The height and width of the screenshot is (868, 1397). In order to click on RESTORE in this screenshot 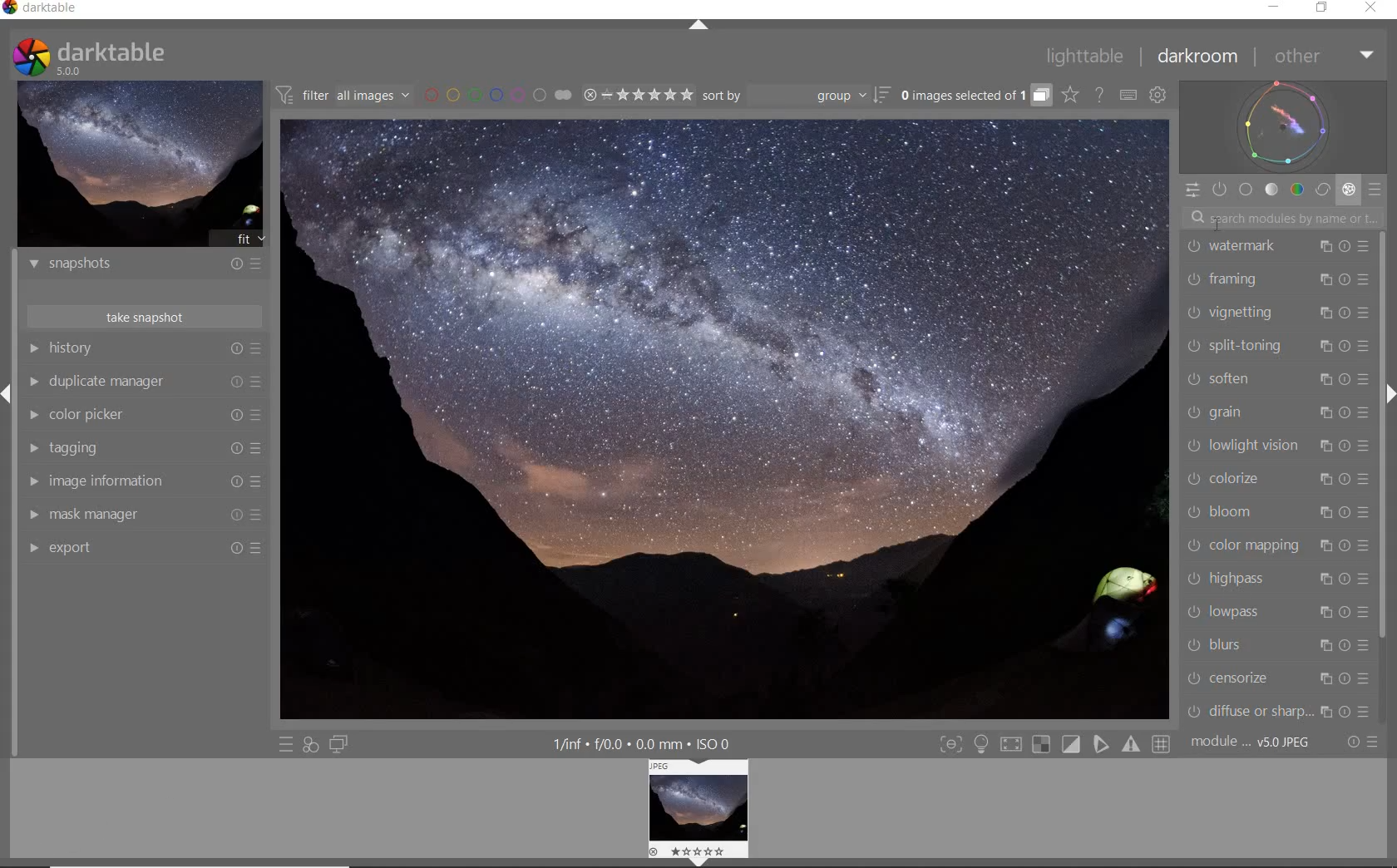, I will do `click(1323, 8)`.